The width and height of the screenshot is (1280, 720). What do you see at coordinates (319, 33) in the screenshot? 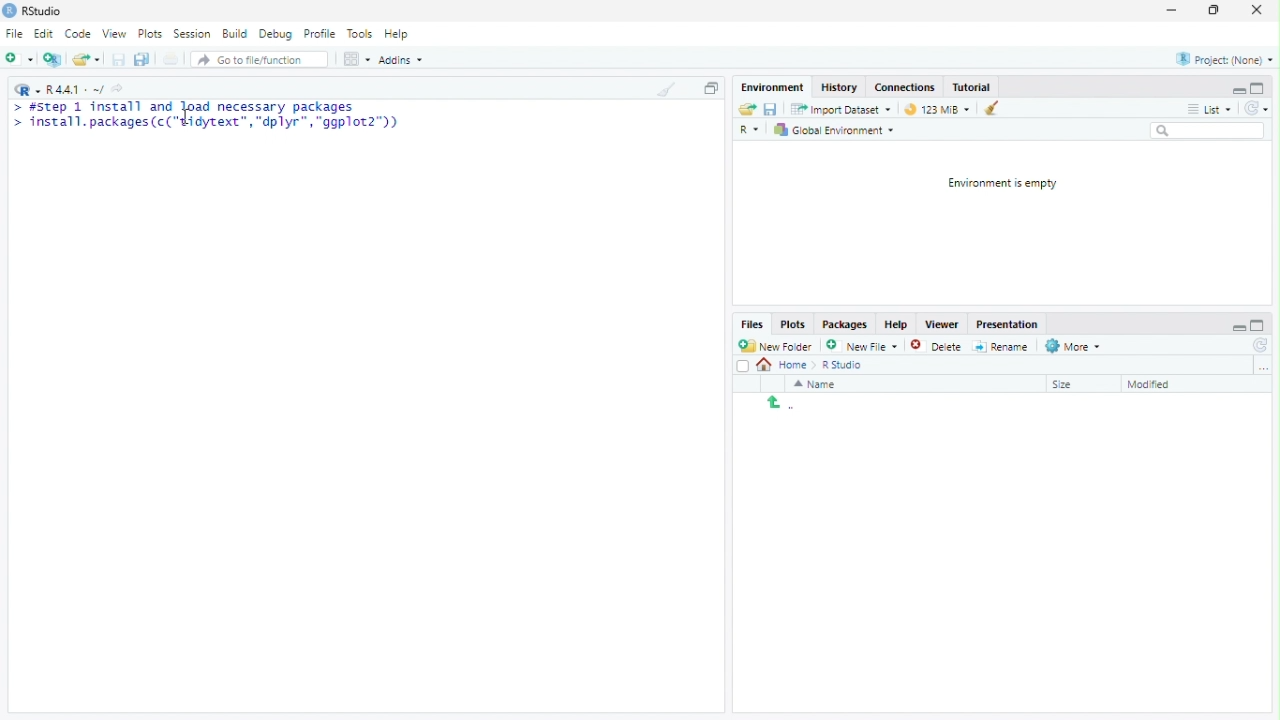
I see `Profile` at bounding box center [319, 33].